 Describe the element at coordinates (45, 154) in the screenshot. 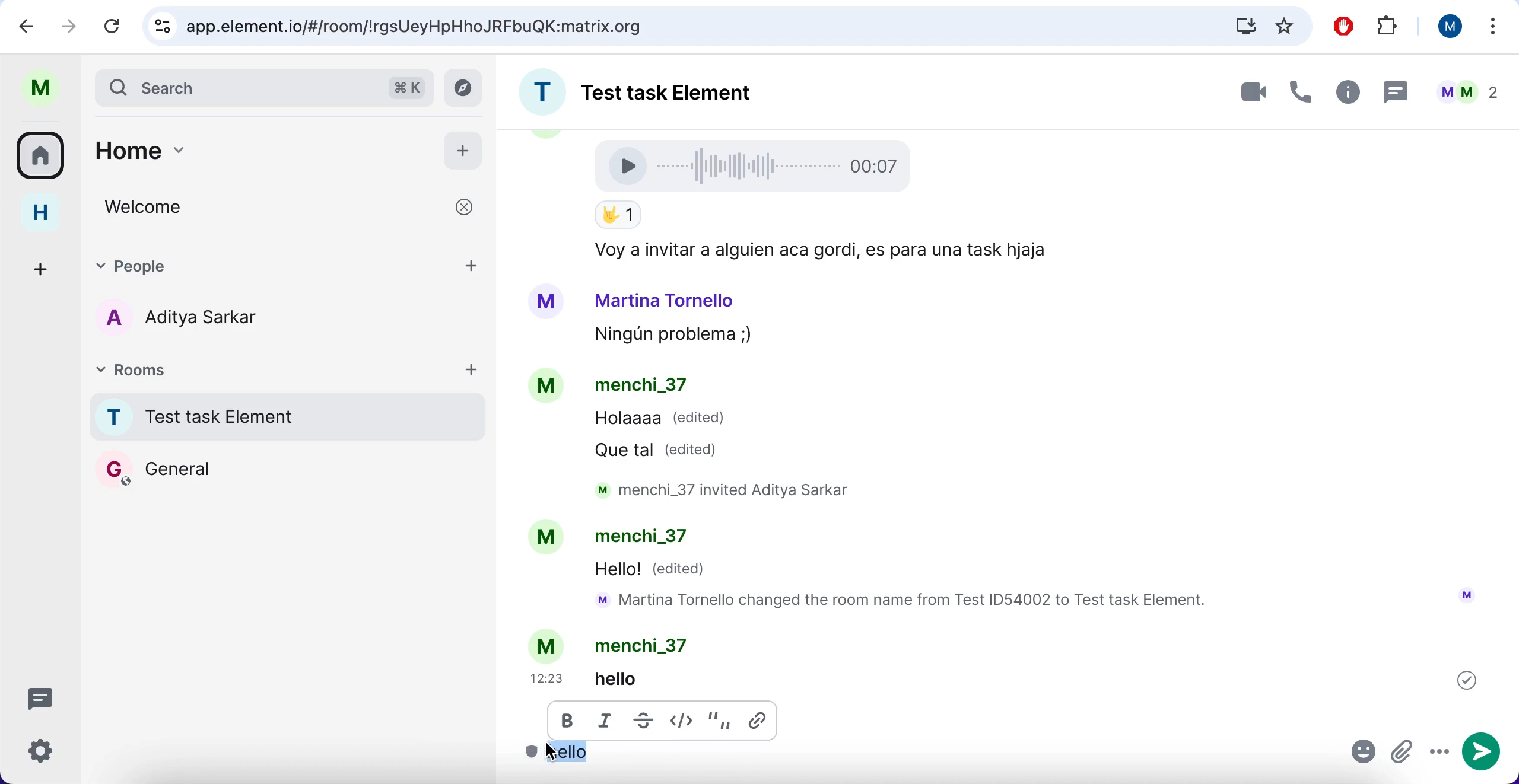

I see `rooms` at that location.